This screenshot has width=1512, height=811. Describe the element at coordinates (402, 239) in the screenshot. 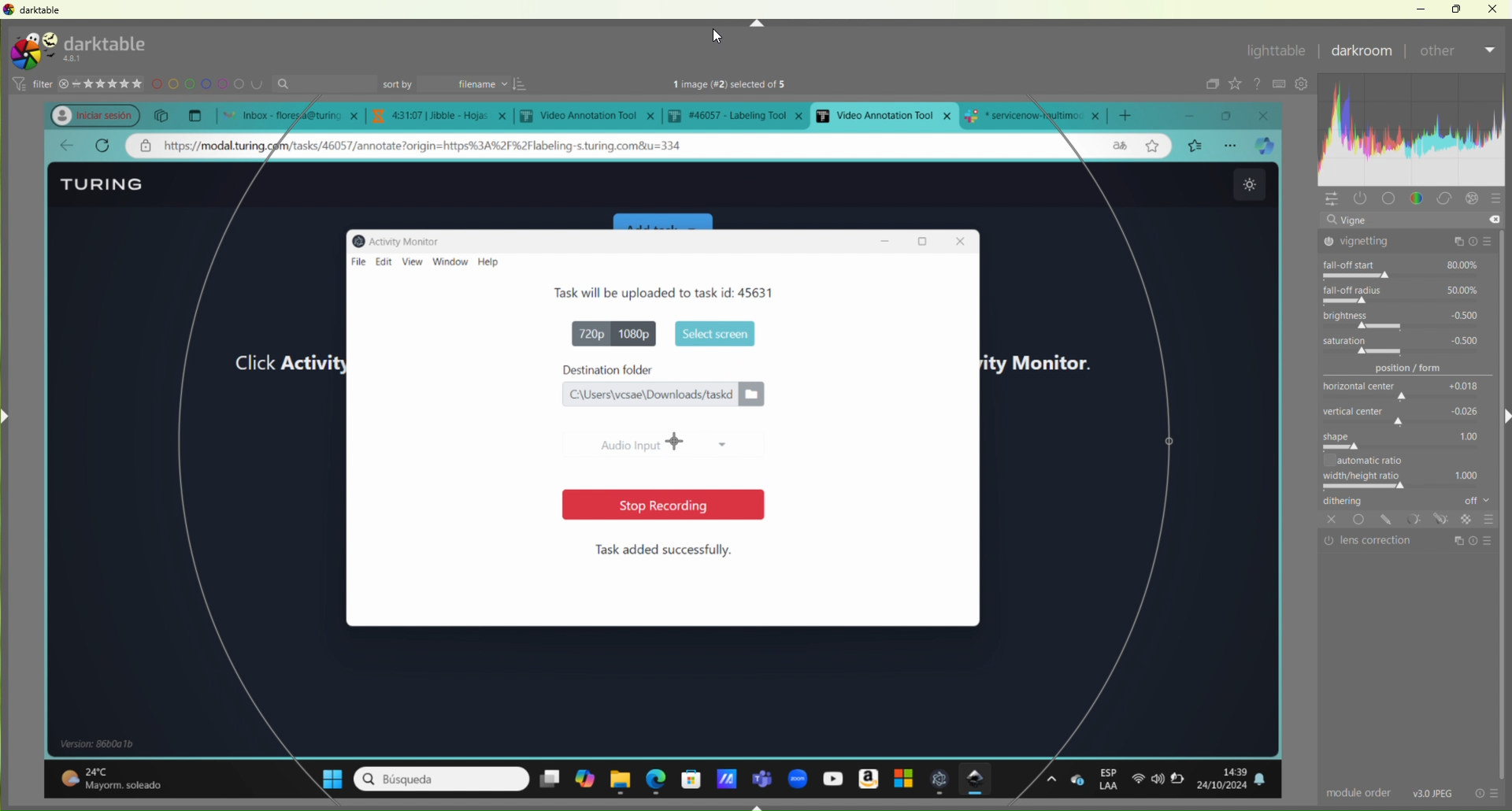

I see `Activity monitor` at that location.